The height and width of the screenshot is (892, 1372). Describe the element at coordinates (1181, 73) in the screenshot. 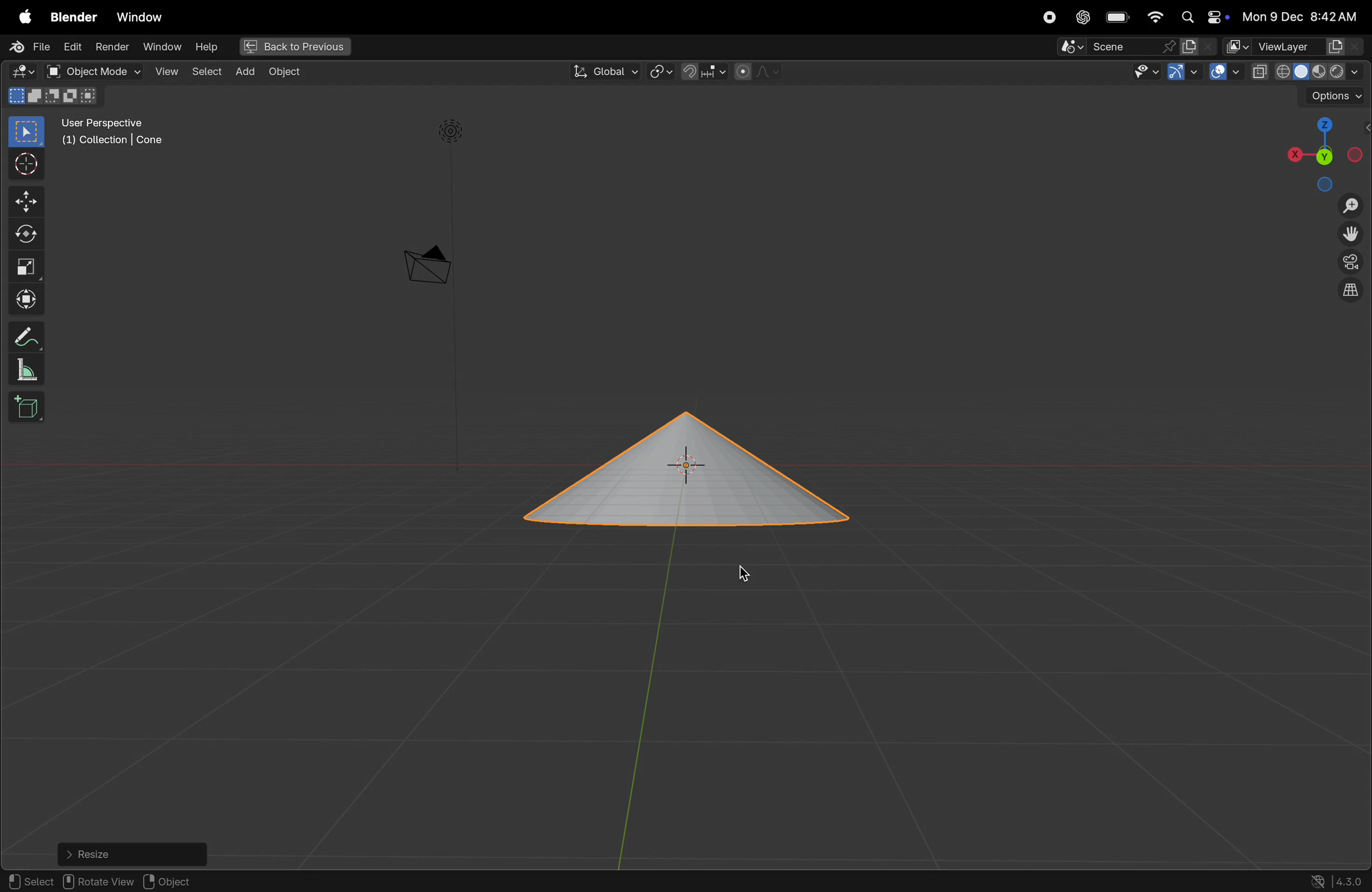

I see `show gimzo` at that location.